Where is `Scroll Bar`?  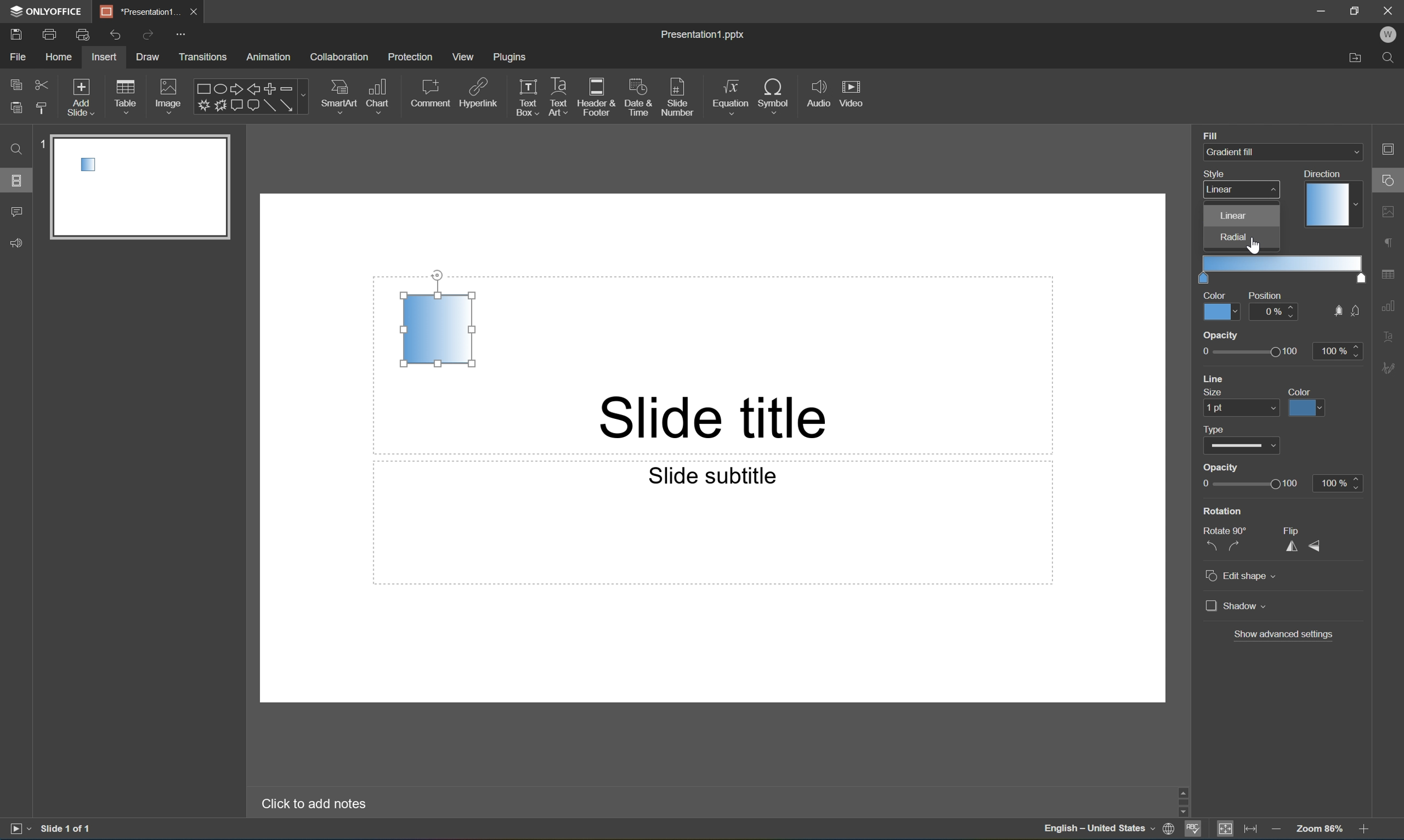
Scroll Bar is located at coordinates (1361, 798).